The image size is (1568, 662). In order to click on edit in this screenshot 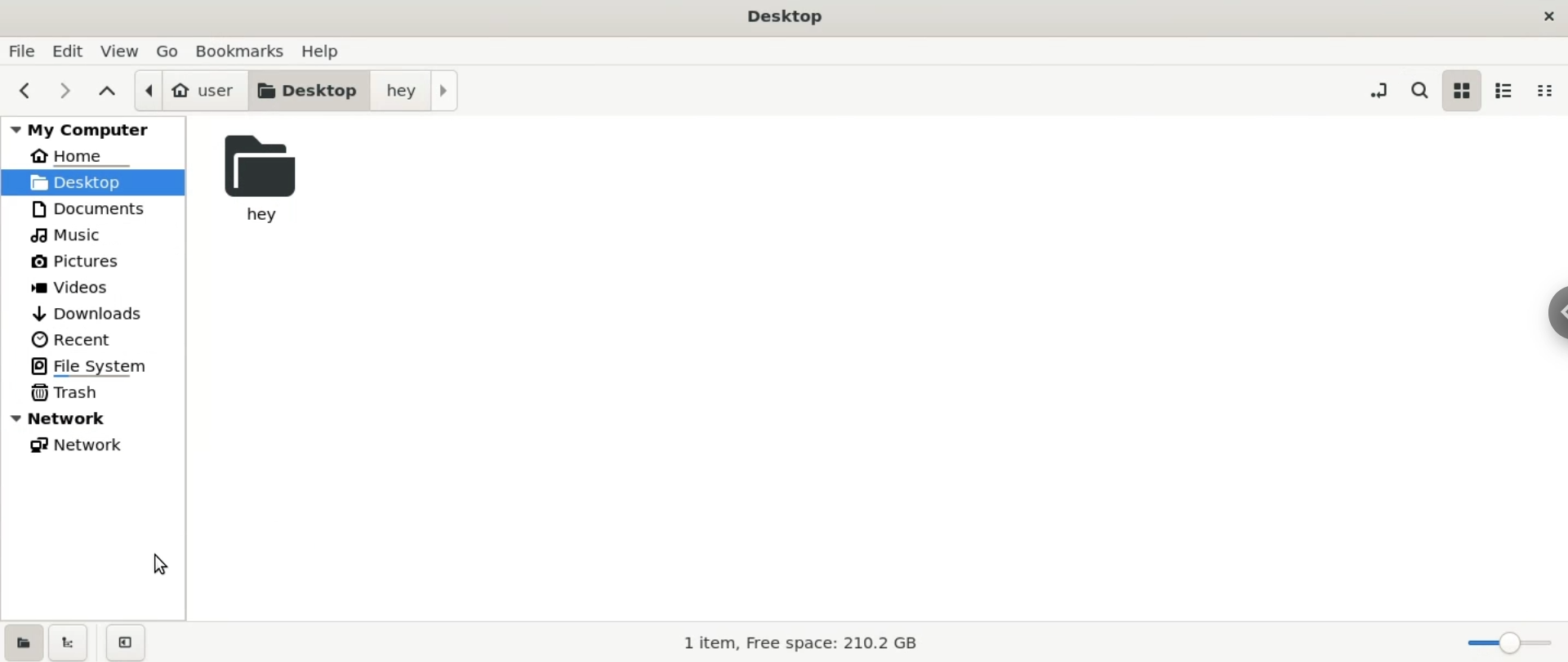, I will do `click(73, 50)`.